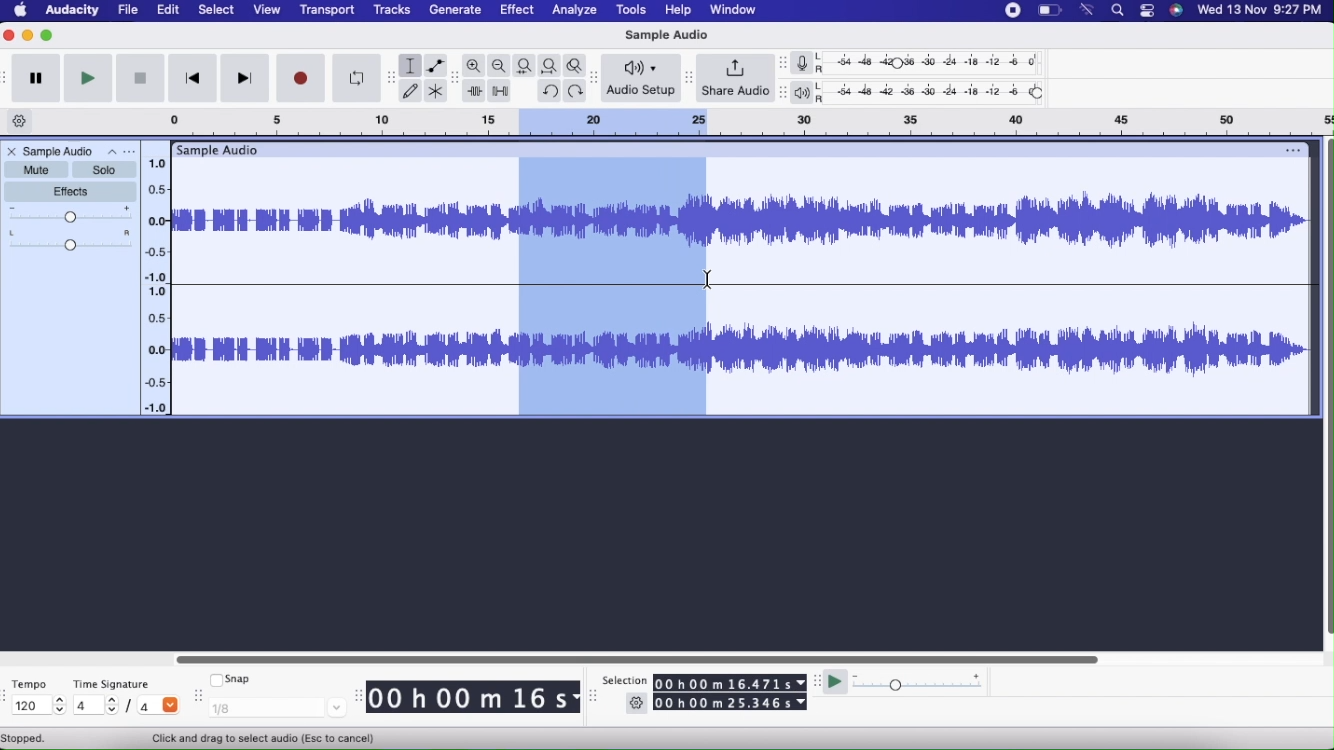 This screenshot has width=1334, height=750. Describe the element at coordinates (130, 10) in the screenshot. I see `File` at that location.